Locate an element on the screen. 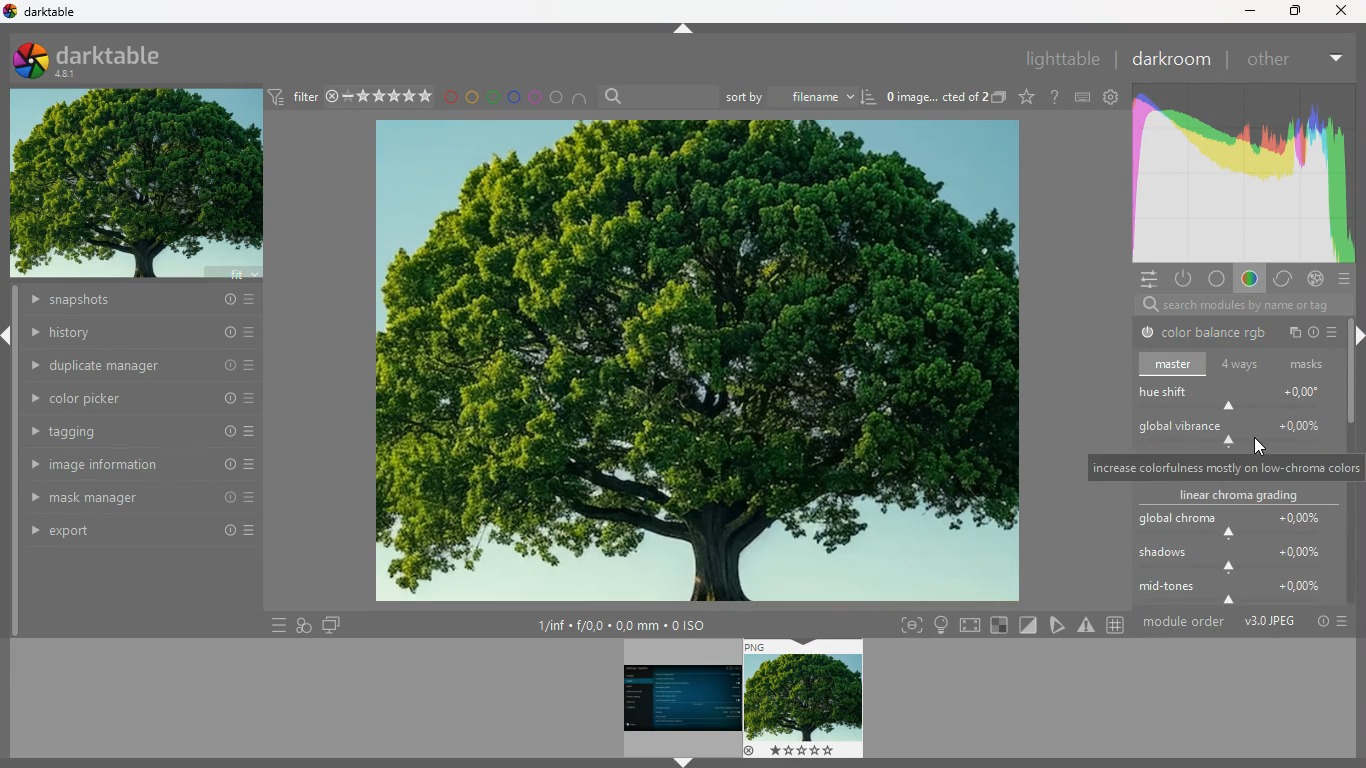  image description is located at coordinates (944, 99).